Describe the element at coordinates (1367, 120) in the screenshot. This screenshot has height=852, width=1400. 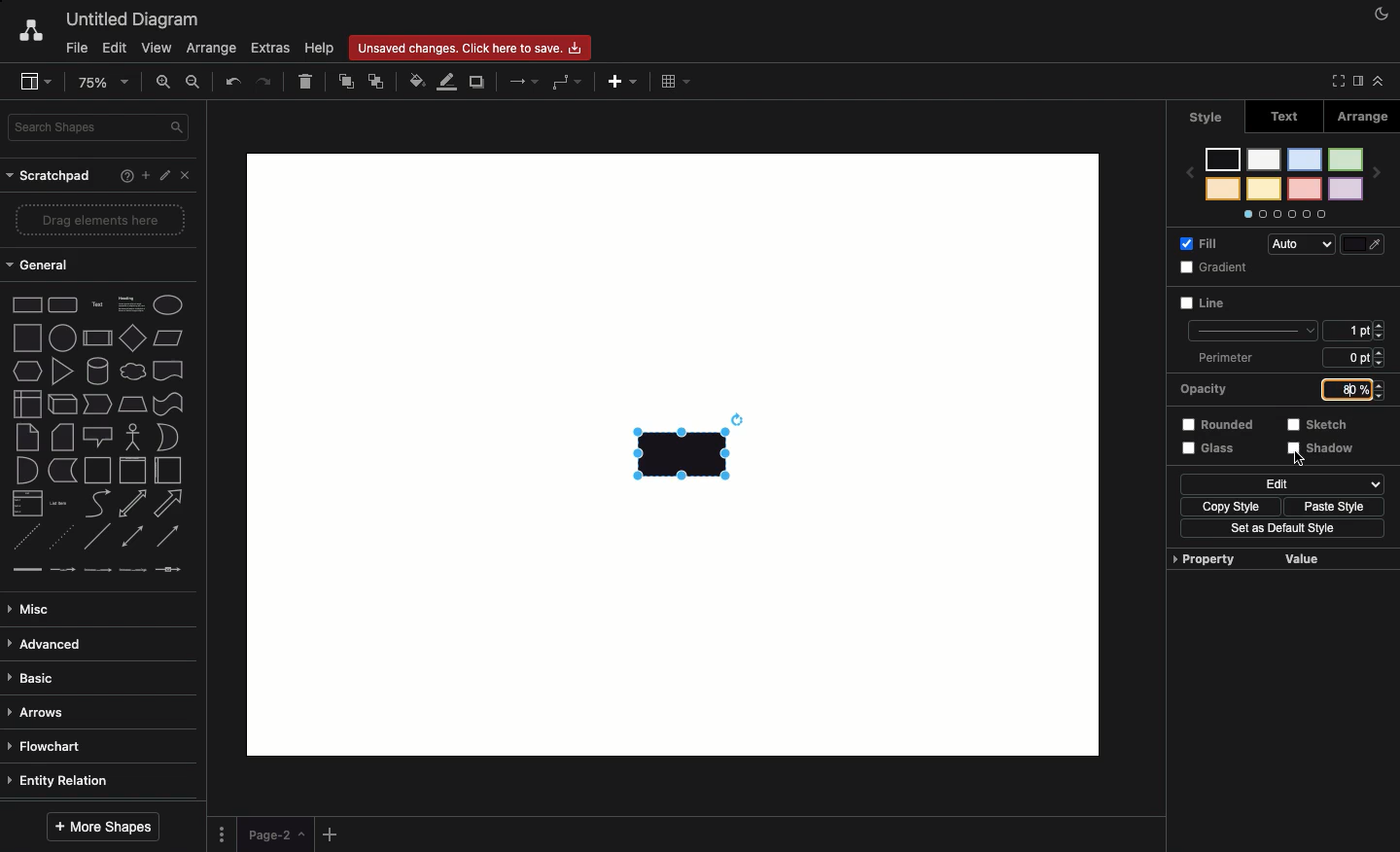
I see `Arrange` at that location.